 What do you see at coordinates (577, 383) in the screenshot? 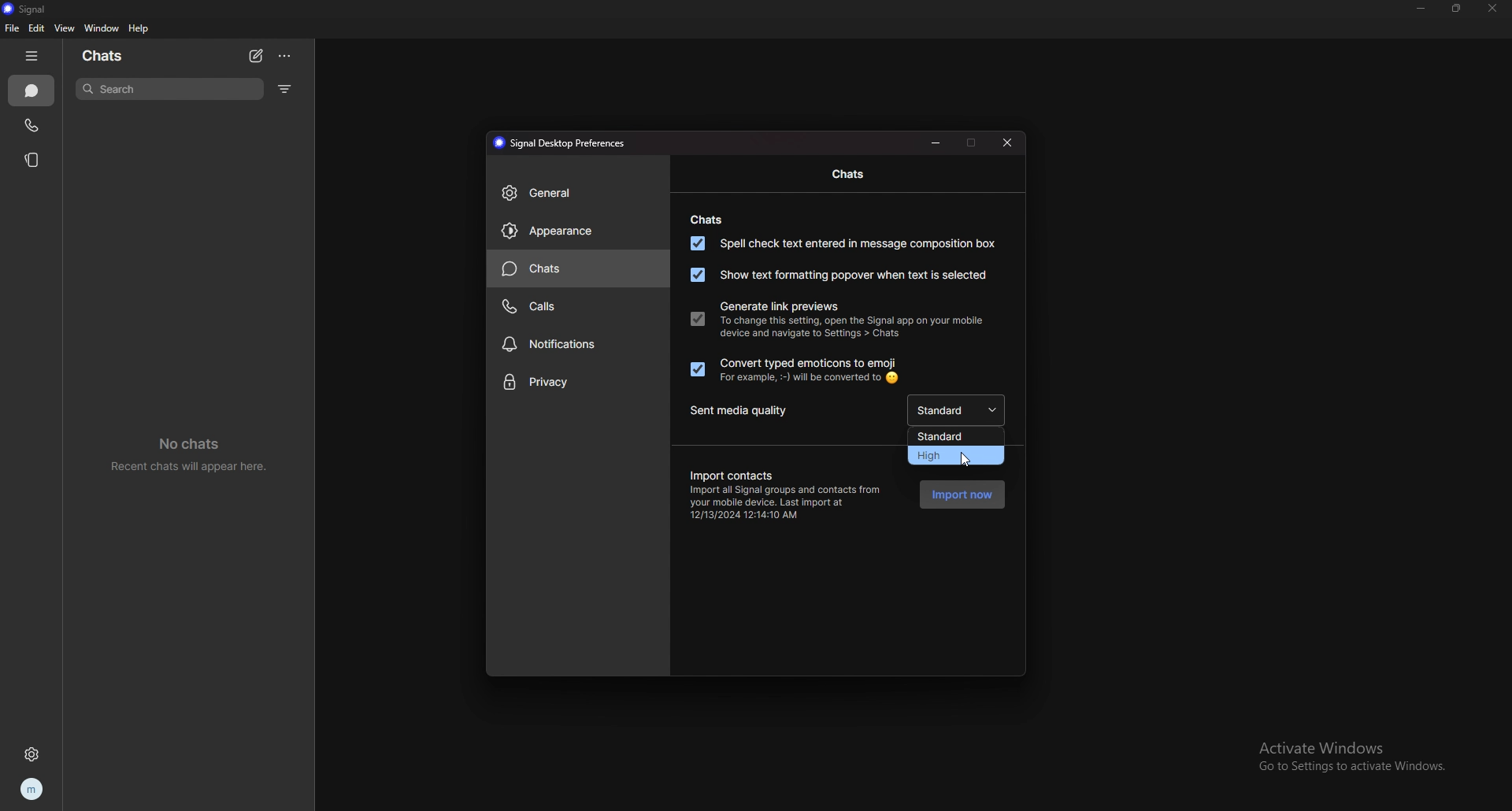
I see `privacy` at bounding box center [577, 383].